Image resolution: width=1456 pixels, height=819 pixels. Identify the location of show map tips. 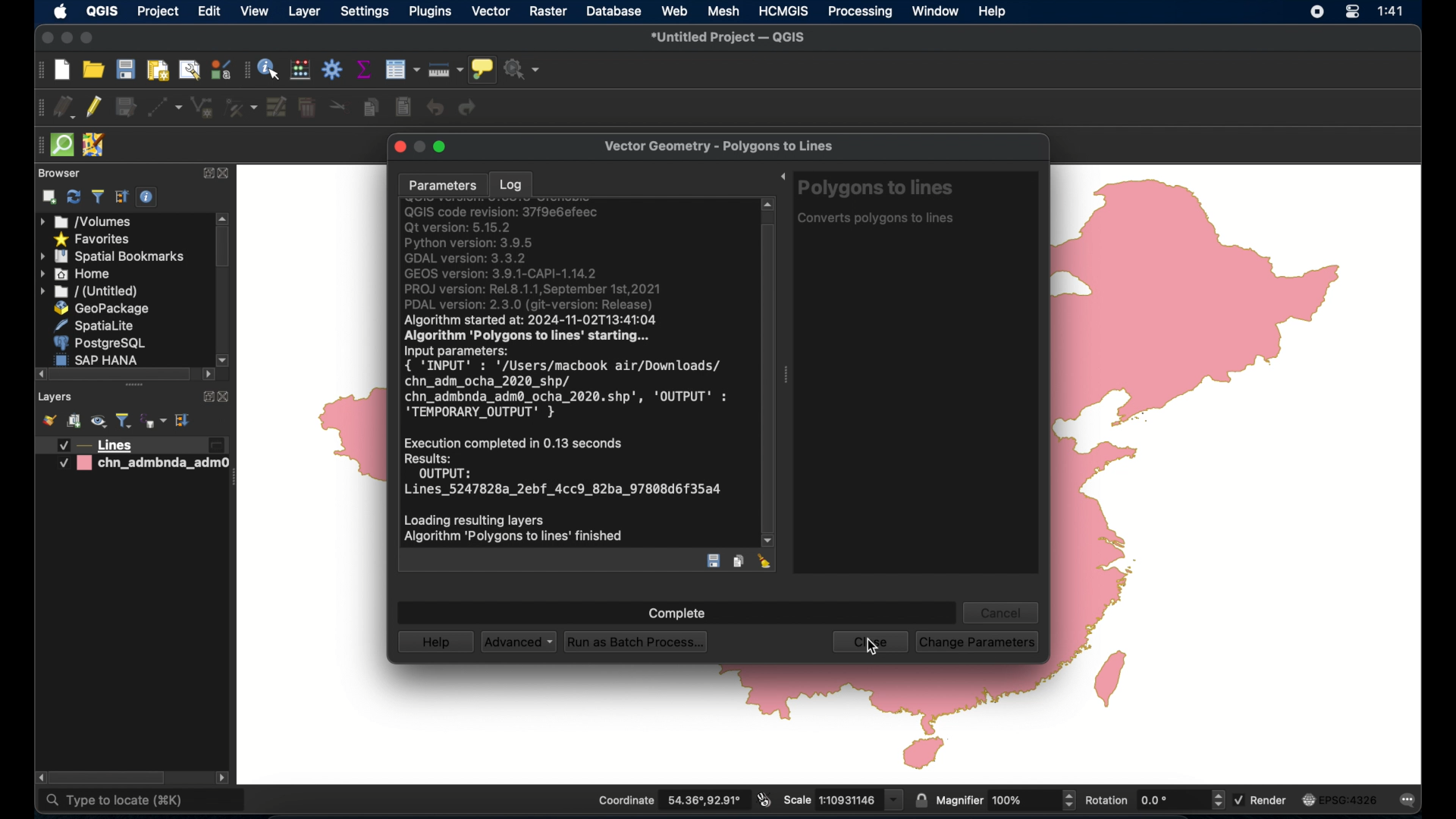
(483, 70).